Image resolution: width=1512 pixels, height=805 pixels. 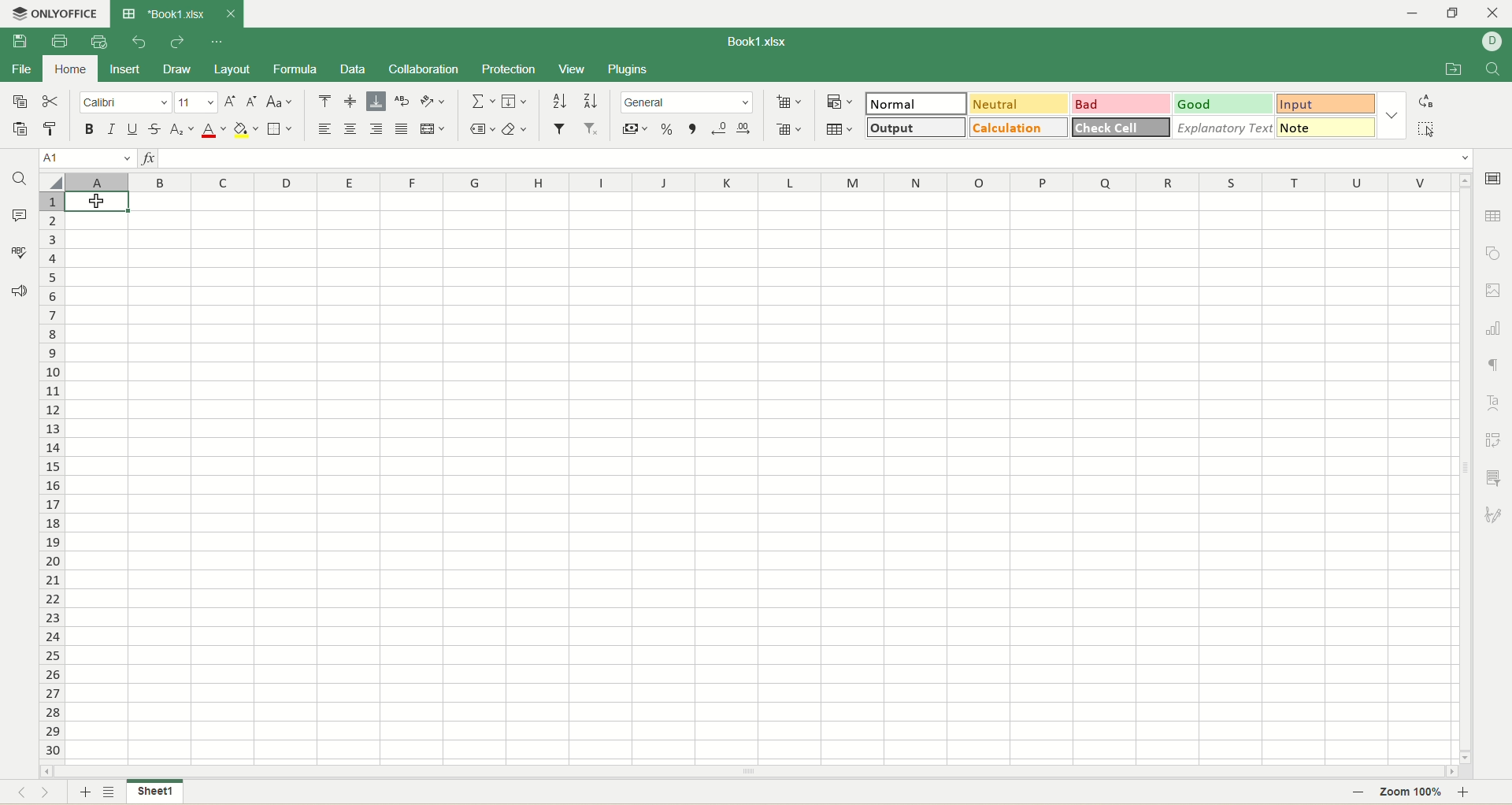 What do you see at coordinates (50, 476) in the screenshot?
I see `row number` at bounding box center [50, 476].